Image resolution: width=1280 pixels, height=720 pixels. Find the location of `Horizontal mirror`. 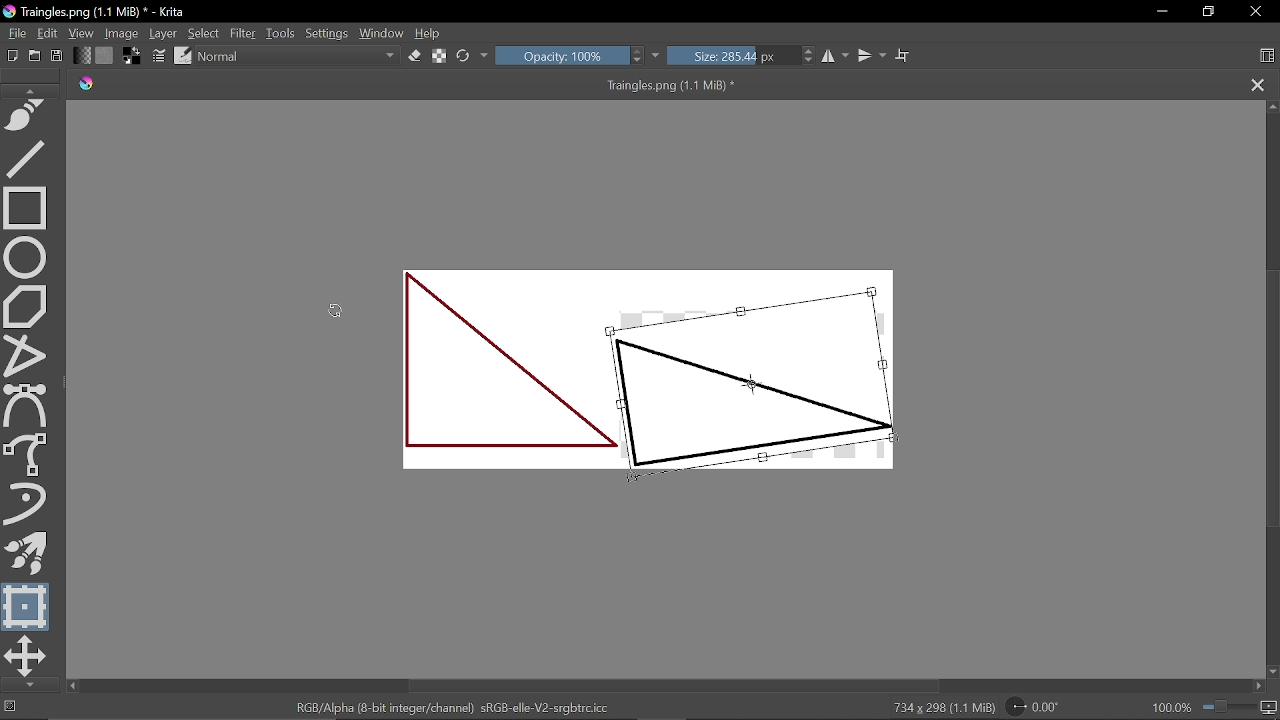

Horizontal mirror is located at coordinates (836, 56).